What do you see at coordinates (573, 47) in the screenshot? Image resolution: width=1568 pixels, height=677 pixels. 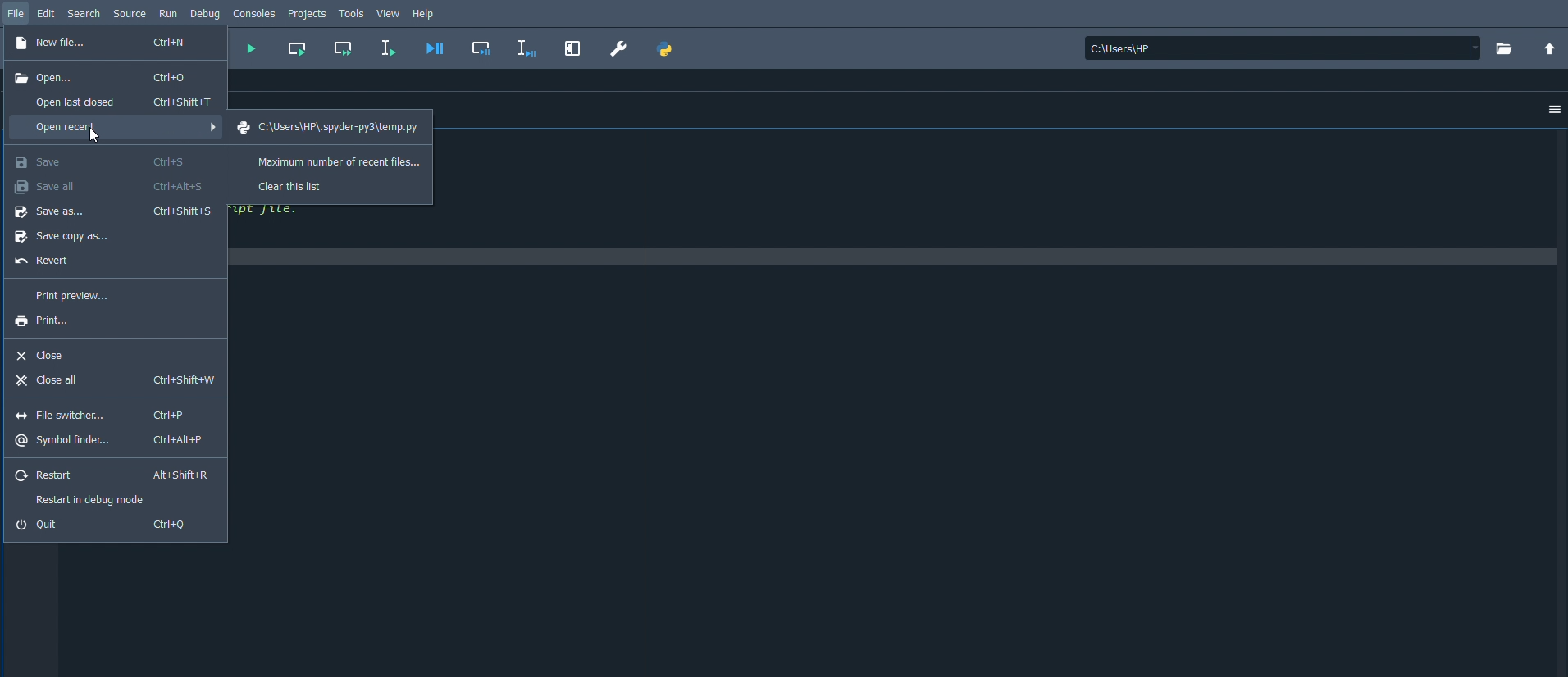 I see `Maximize current pane` at bounding box center [573, 47].